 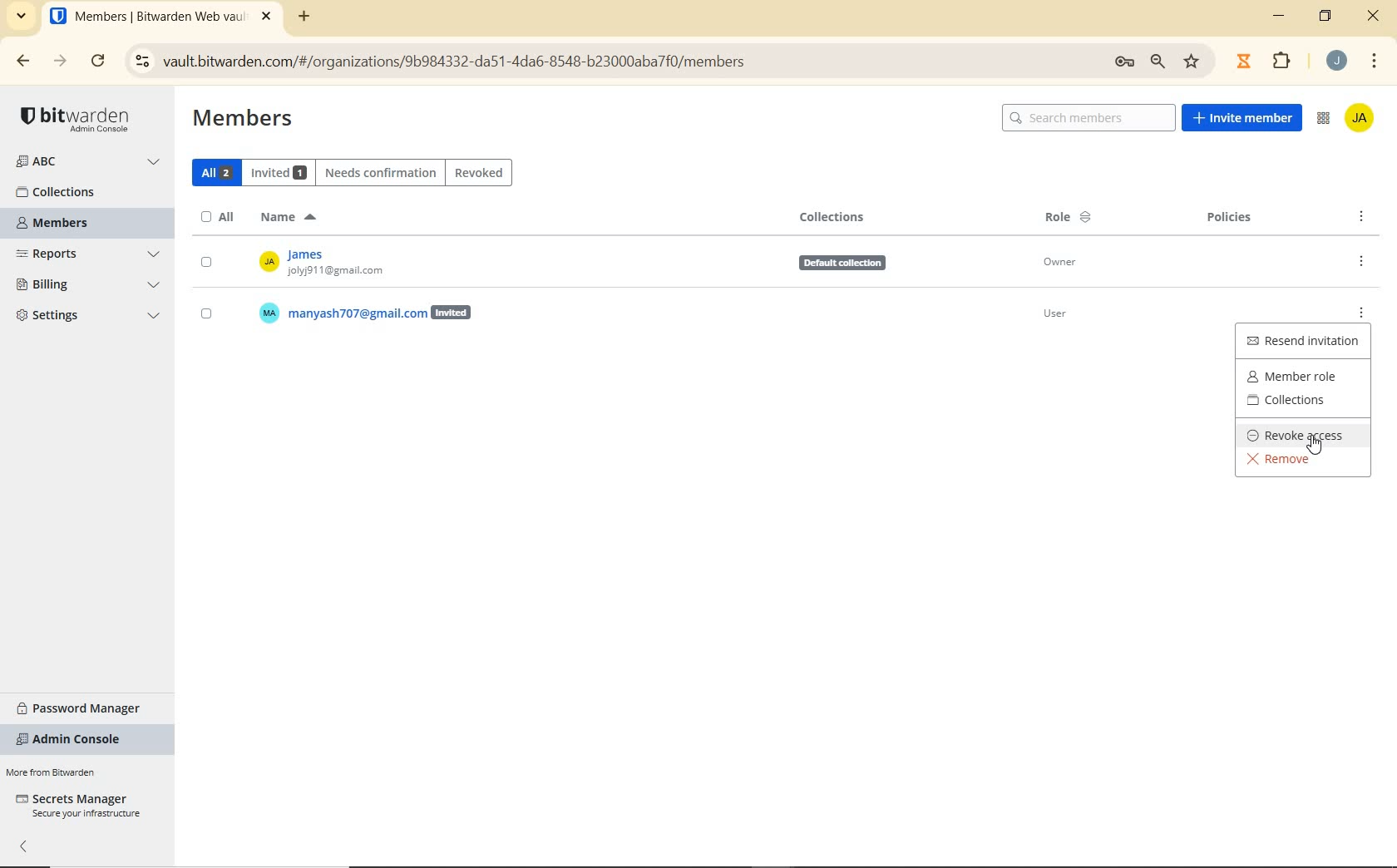 What do you see at coordinates (1301, 435) in the screenshot?
I see `REVOKE ACCESS` at bounding box center [1301, 435].